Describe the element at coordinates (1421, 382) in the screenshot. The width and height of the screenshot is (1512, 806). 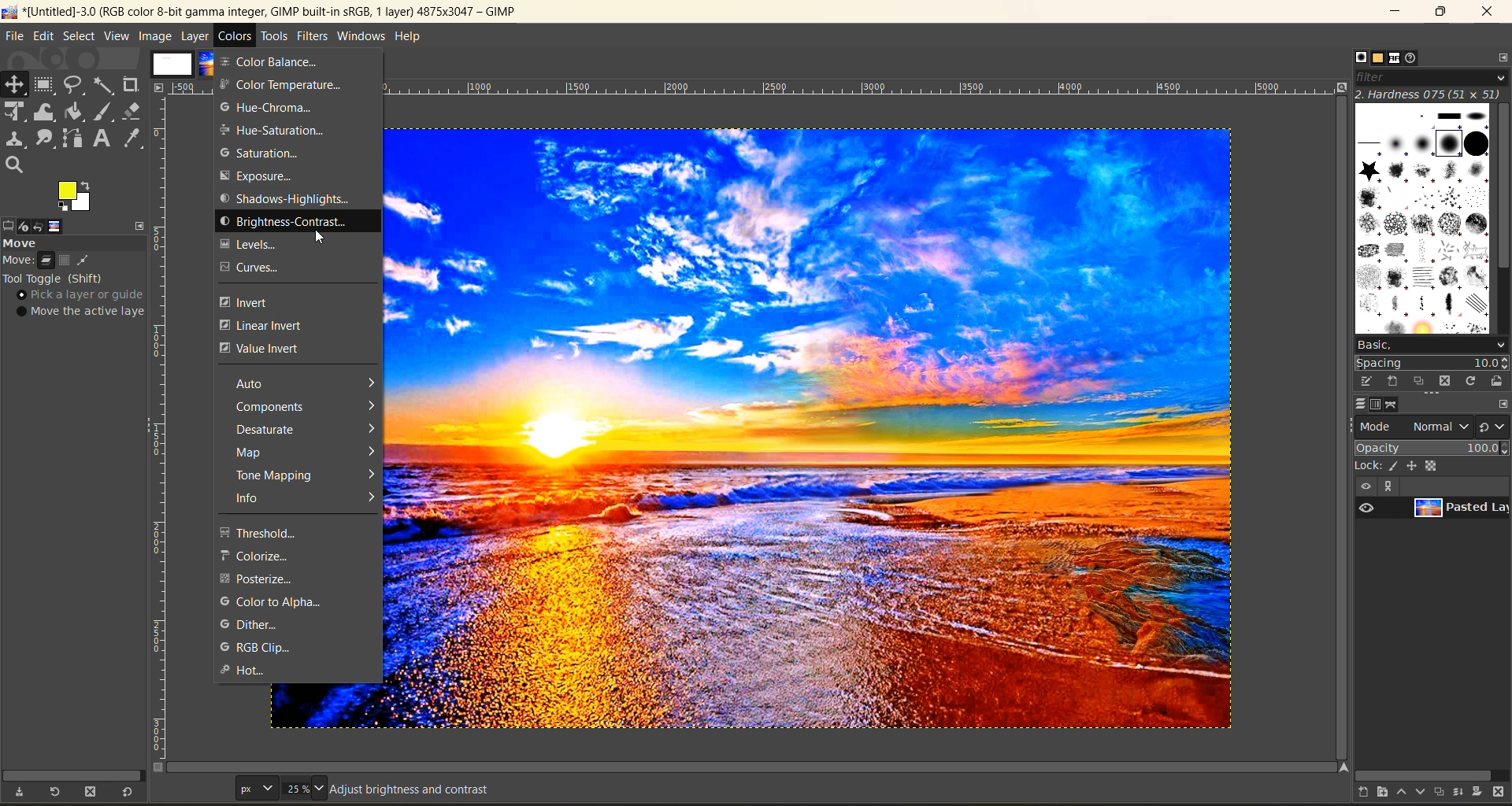
I see `duplicate brush` at that location.